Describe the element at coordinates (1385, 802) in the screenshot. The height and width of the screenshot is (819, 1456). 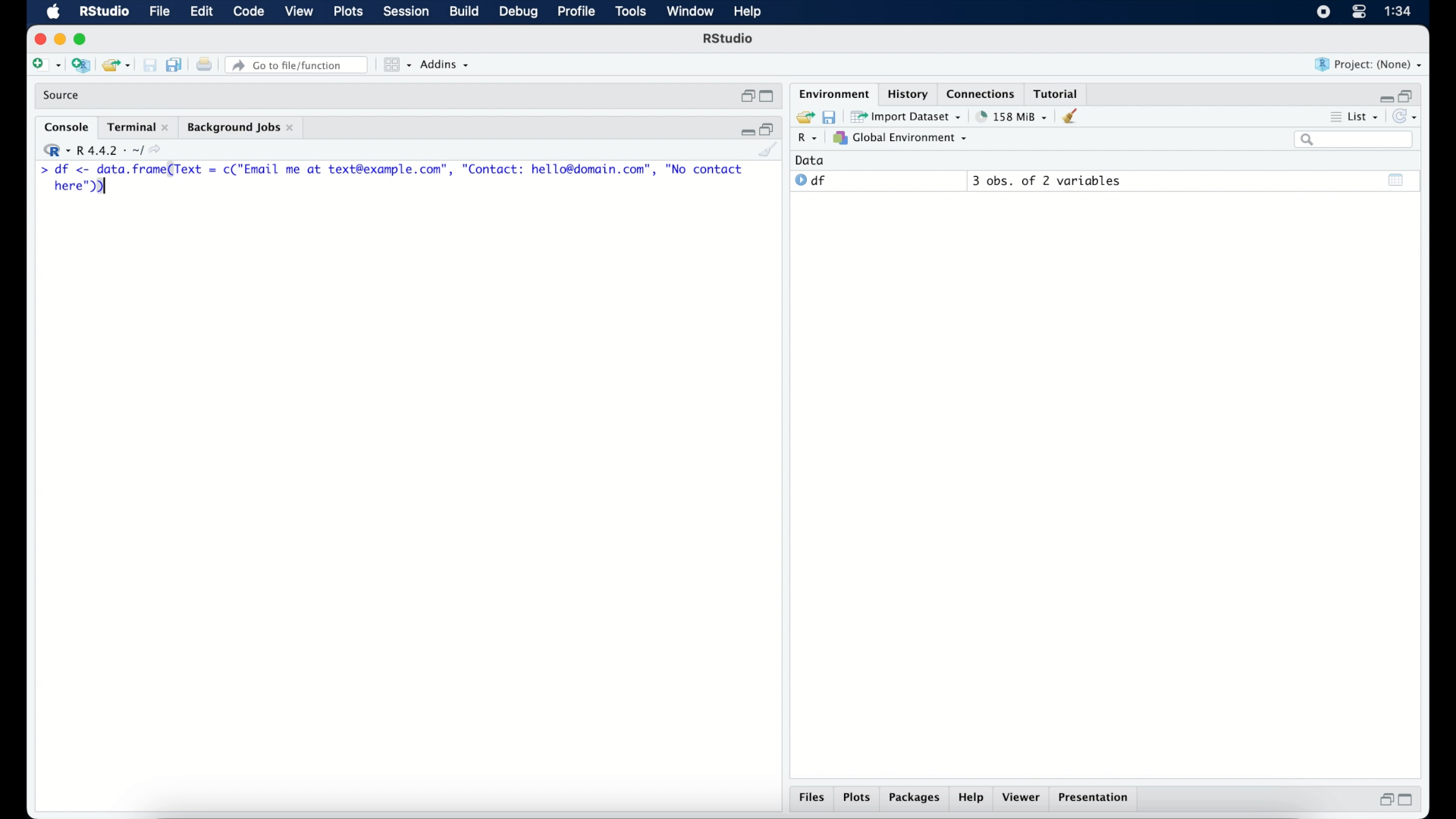
I see `restore down` at that location.